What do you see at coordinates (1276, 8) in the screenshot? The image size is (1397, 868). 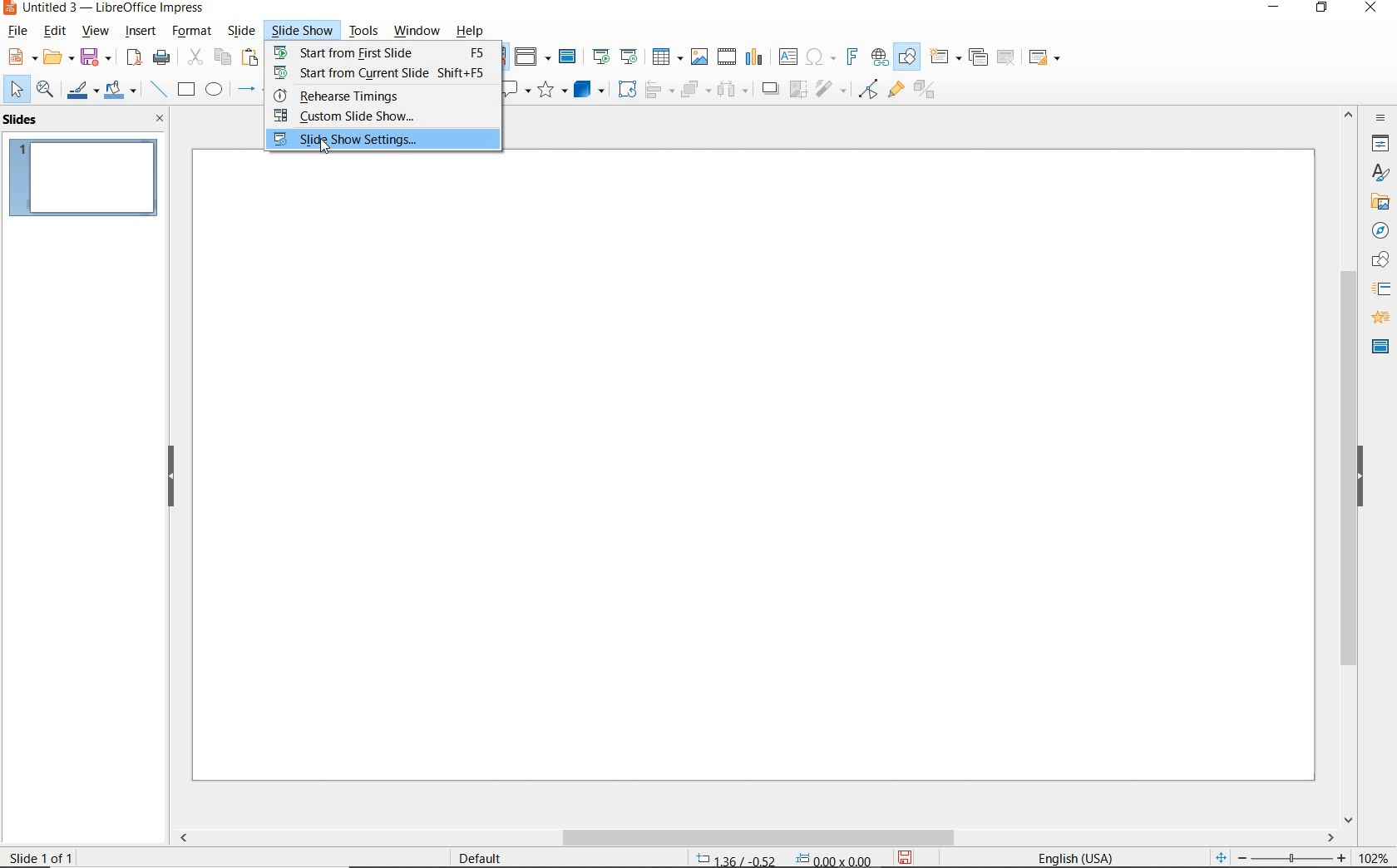 I see `MINIMIZE` at bounding box center [1276, 8].